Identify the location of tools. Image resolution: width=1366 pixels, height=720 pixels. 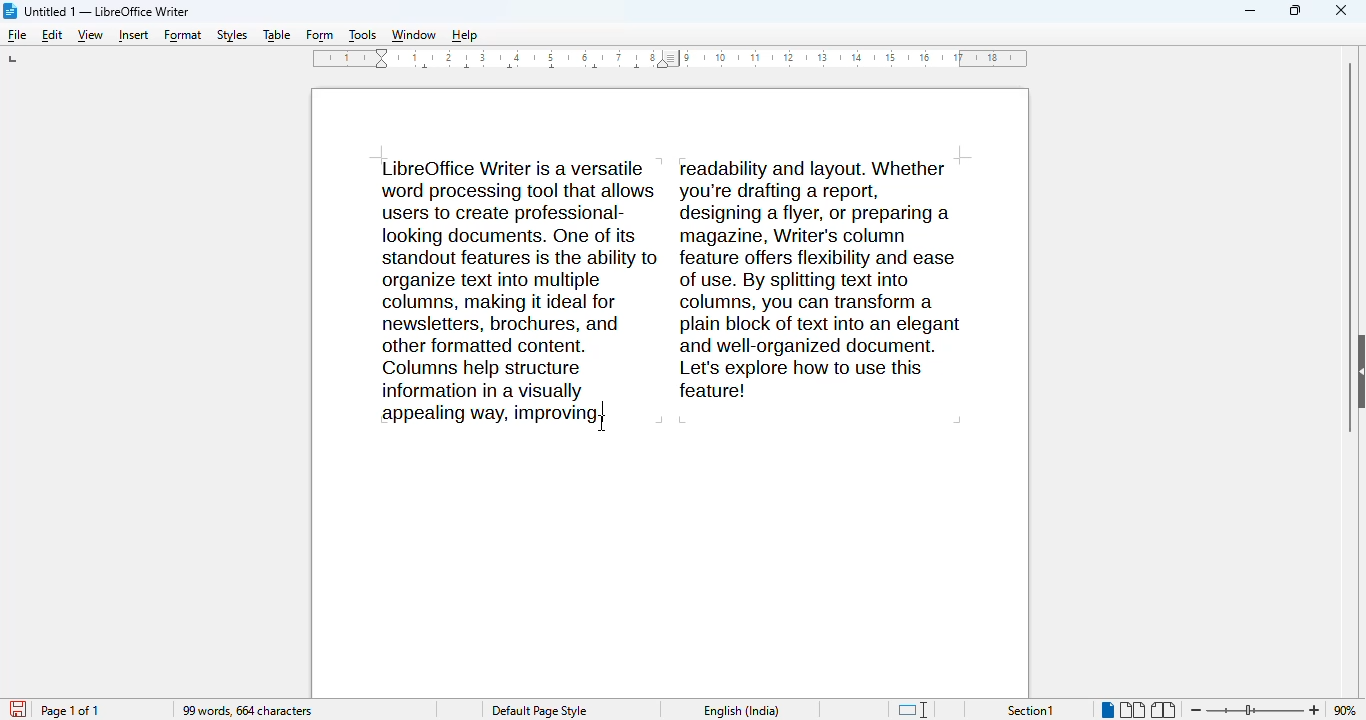
(362, 37).